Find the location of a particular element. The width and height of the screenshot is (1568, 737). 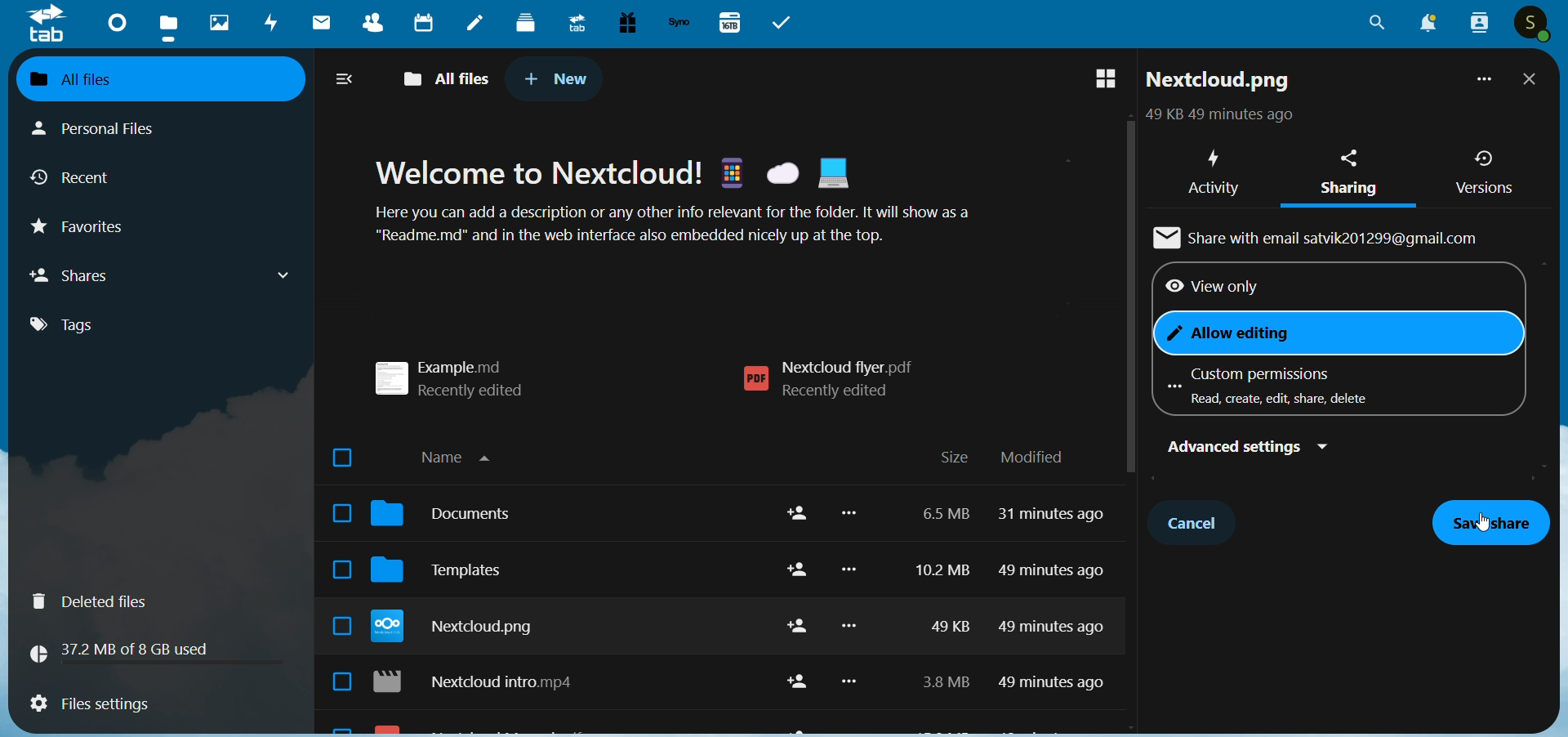

nextcloud intro  is located at coordinates (483, 685).